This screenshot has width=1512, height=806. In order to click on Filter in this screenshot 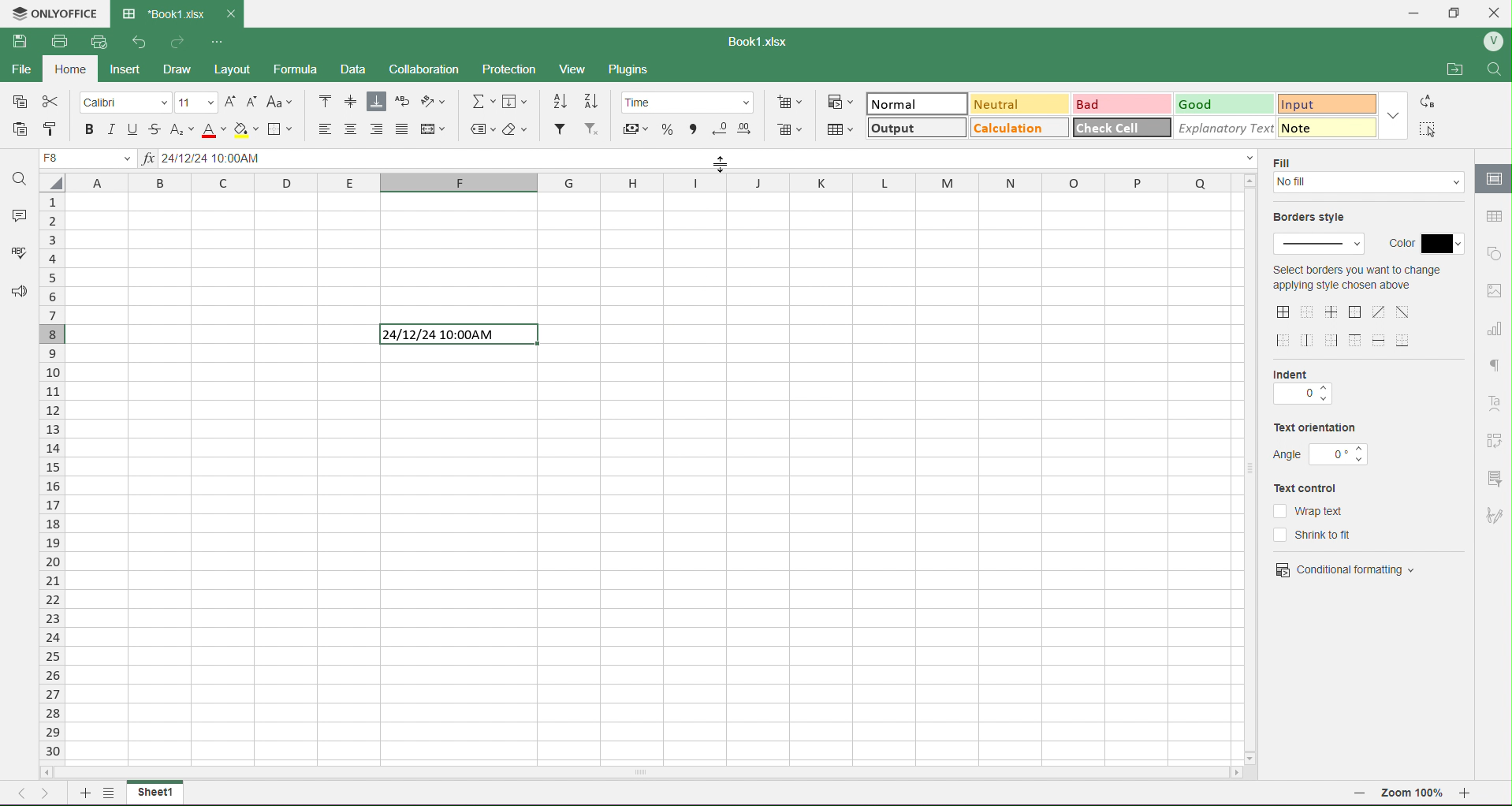, I will do `click(559, 129)`.